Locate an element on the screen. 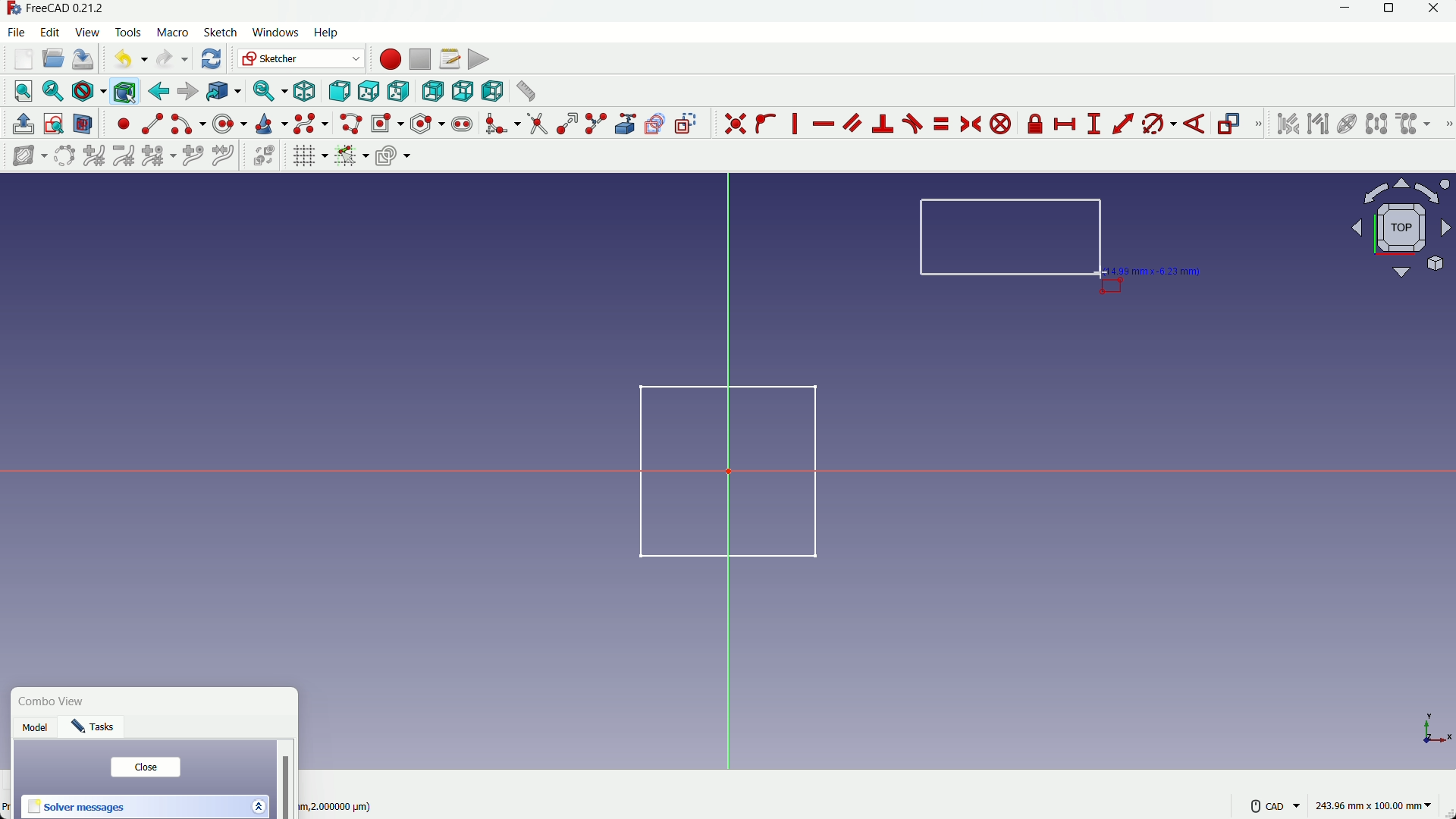  toggle construction geometry is located at coordinates (687, 123).